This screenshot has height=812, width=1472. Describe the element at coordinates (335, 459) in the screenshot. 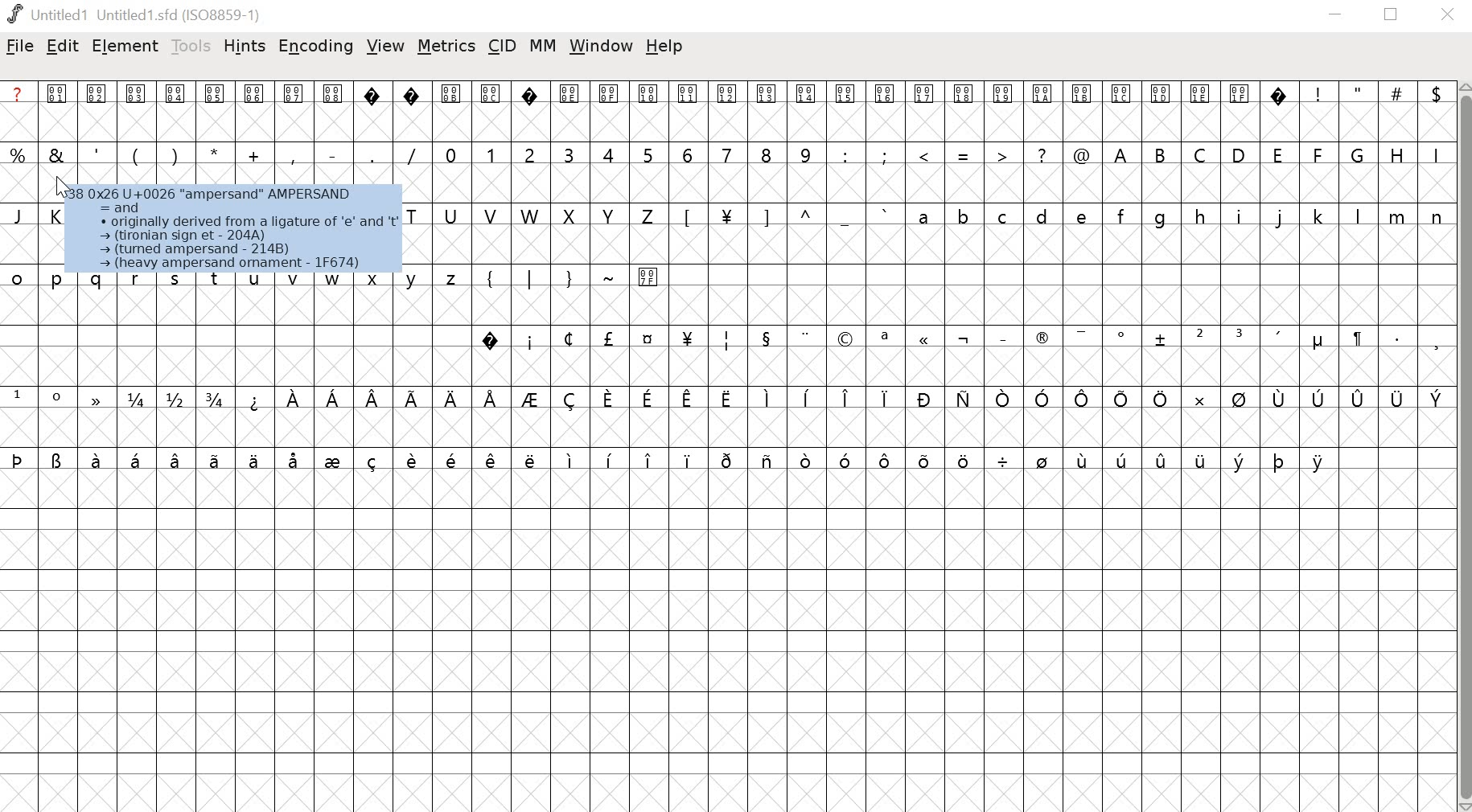

I see `symbol` at that location.